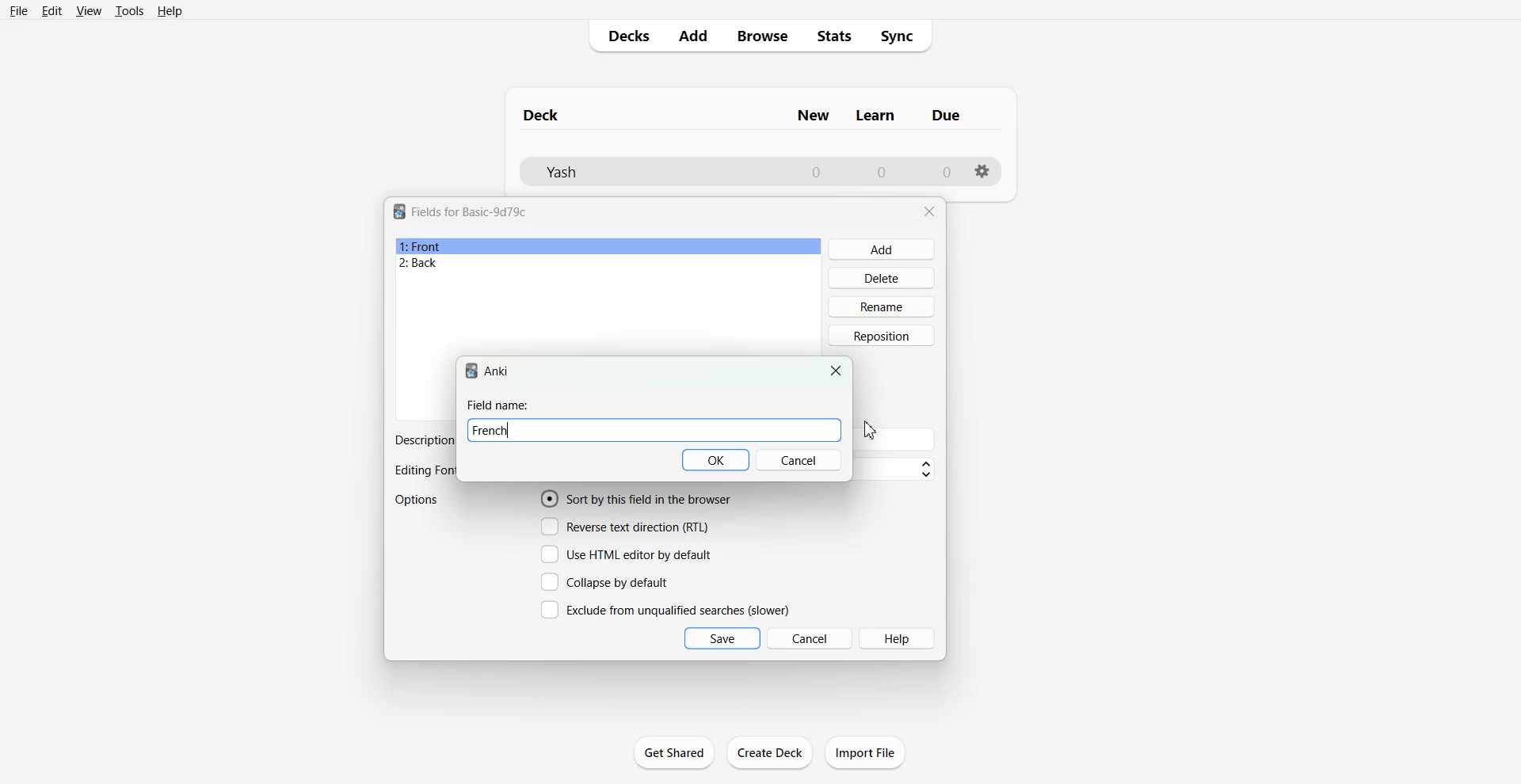 The height and width of the screenshot is (784, 1521). Describe the element at coordinates (722, 638) in the screenshot. I see `Save` at that location.